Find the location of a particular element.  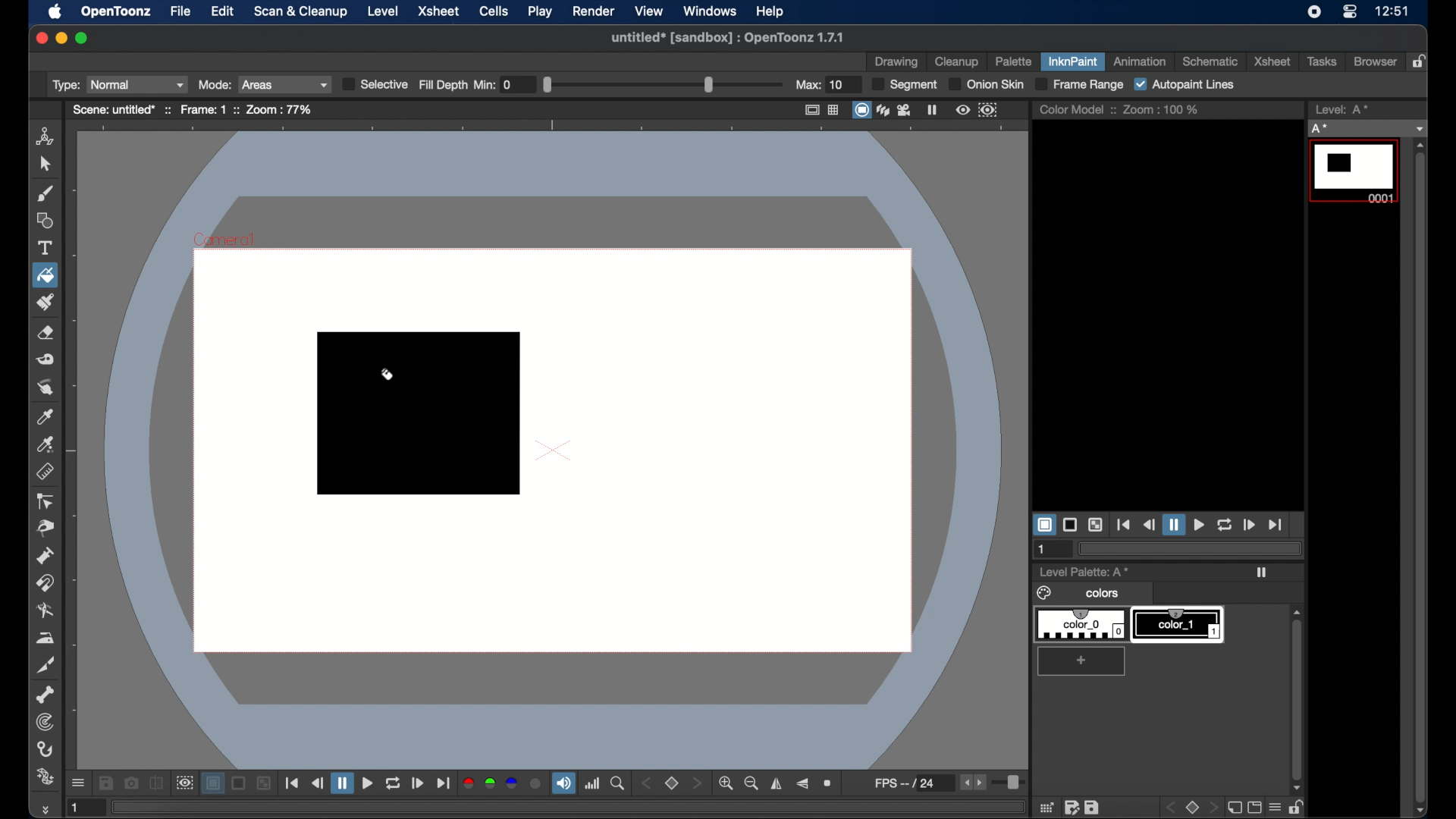

untitled* [sandbox] : OpenToonz 1.7.1 is located at coordinates (725, 36).